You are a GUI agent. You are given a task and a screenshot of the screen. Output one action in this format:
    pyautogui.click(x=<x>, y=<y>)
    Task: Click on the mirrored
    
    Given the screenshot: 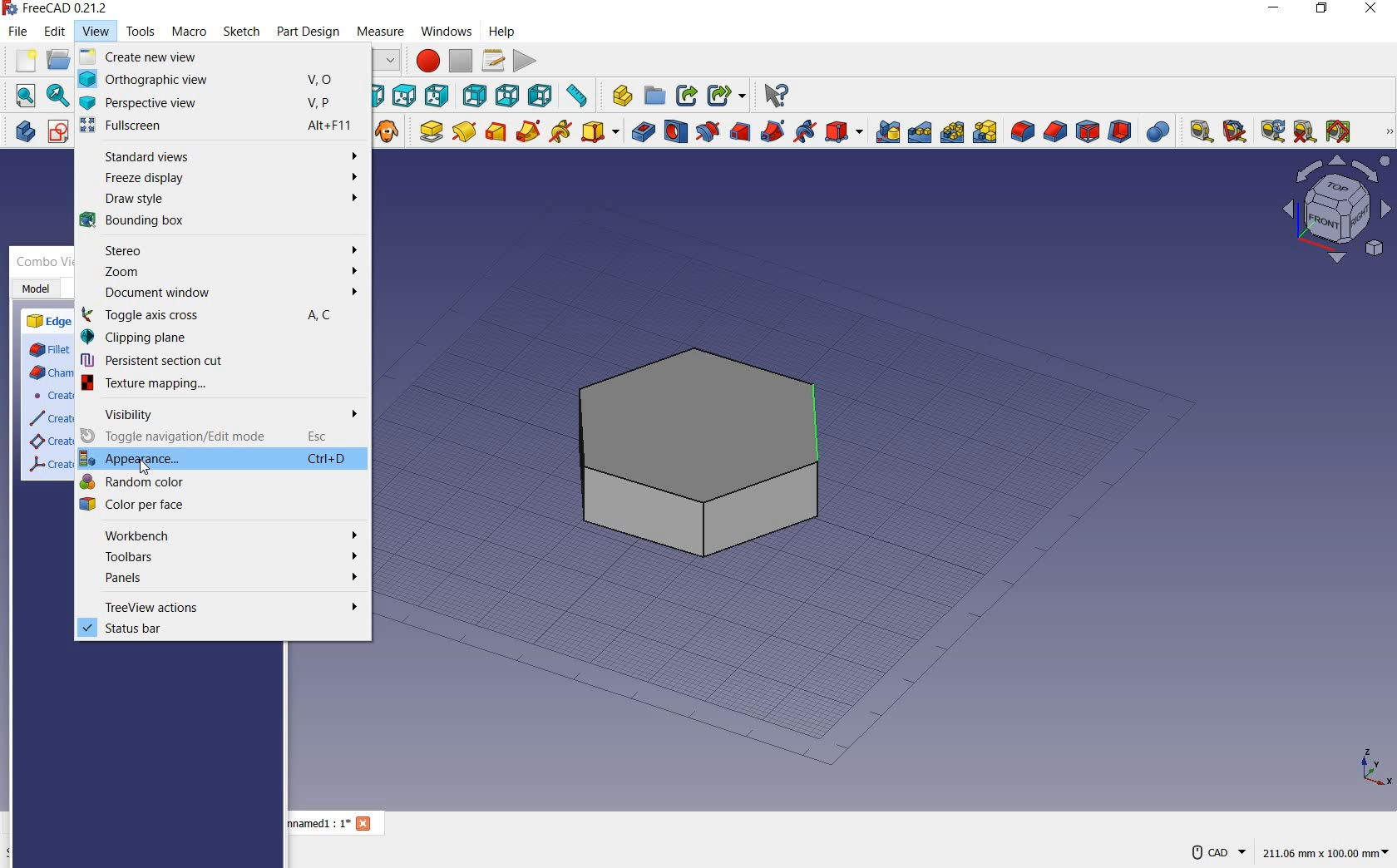 What is the action you would take?
    pyautogui.click(x=888, y=131)
    